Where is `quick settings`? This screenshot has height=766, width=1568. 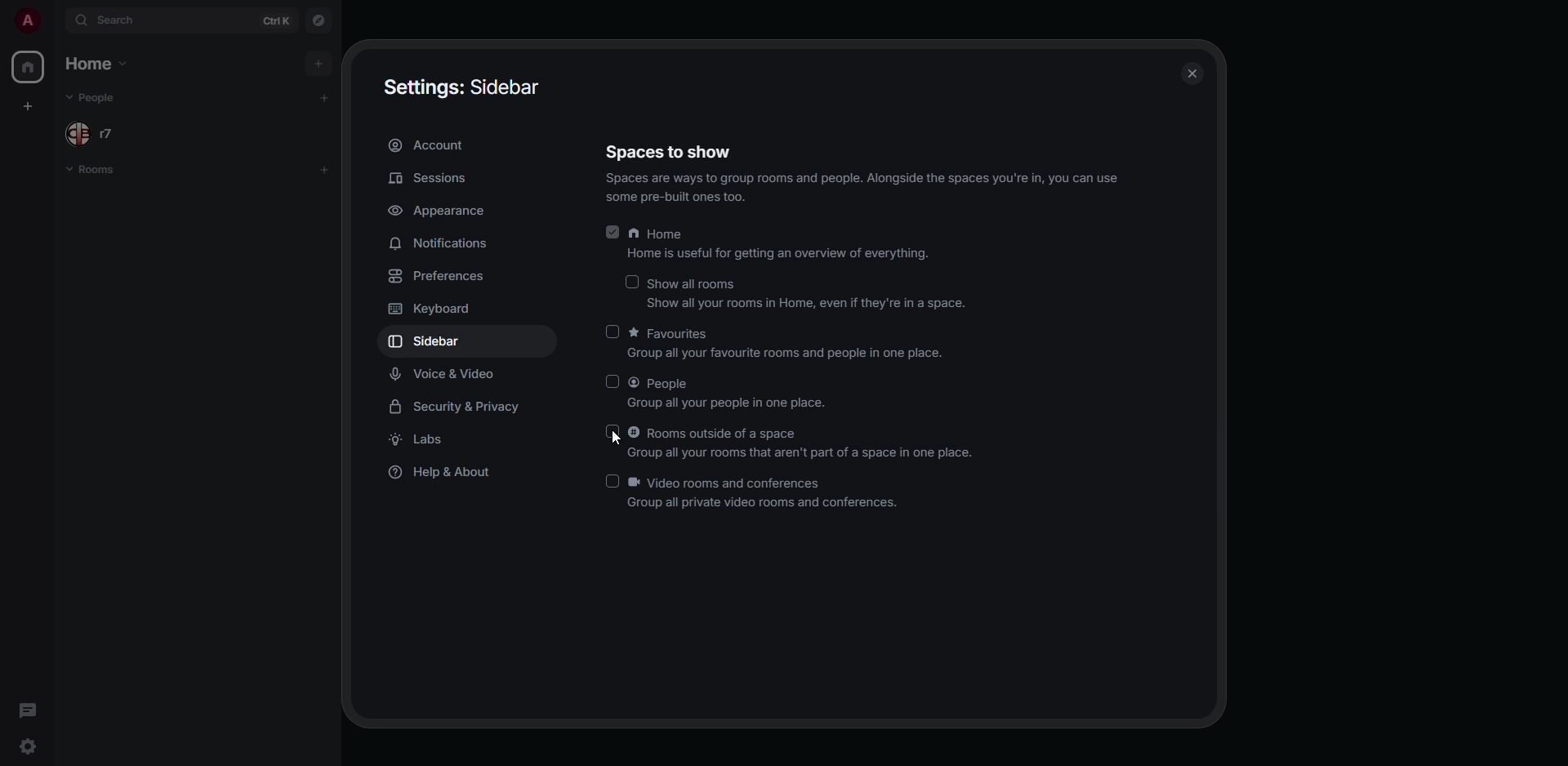 quick settings is located at coordinates (26, 746).